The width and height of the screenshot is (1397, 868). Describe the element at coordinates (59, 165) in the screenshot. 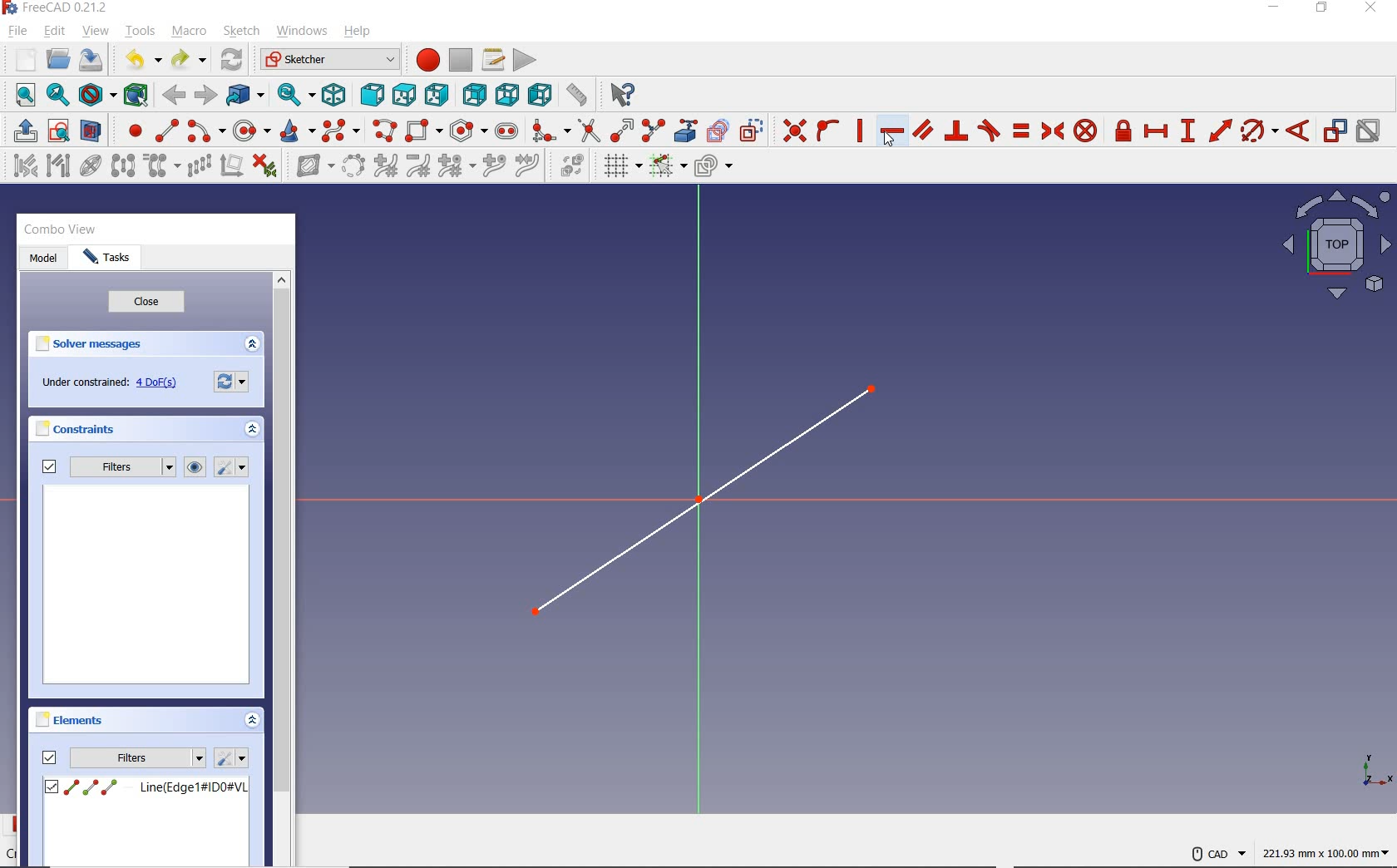

I see `SELECT ASSOCIATED GEOMETRY` at that location.